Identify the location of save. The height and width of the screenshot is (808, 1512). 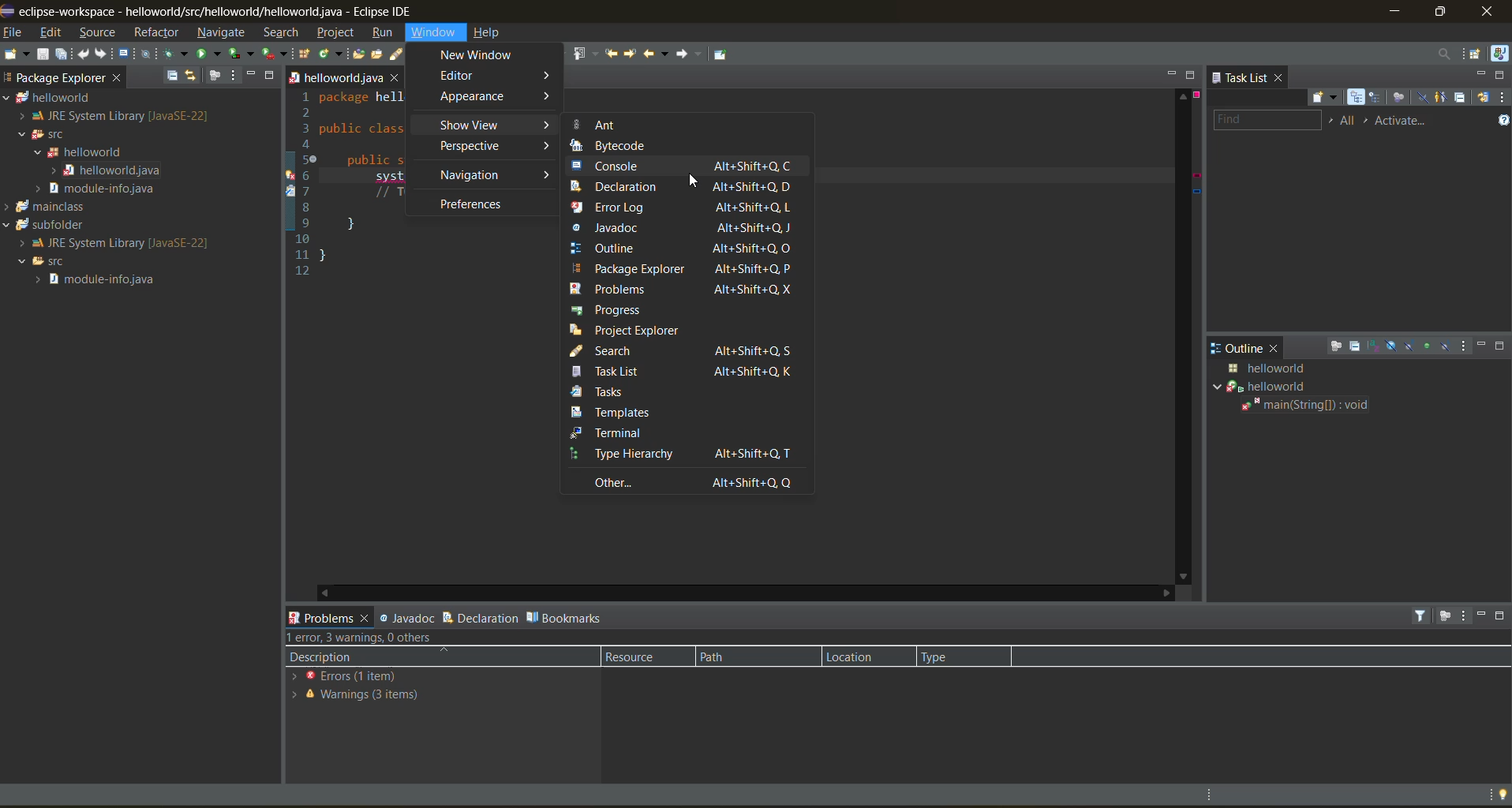
(42, 54).